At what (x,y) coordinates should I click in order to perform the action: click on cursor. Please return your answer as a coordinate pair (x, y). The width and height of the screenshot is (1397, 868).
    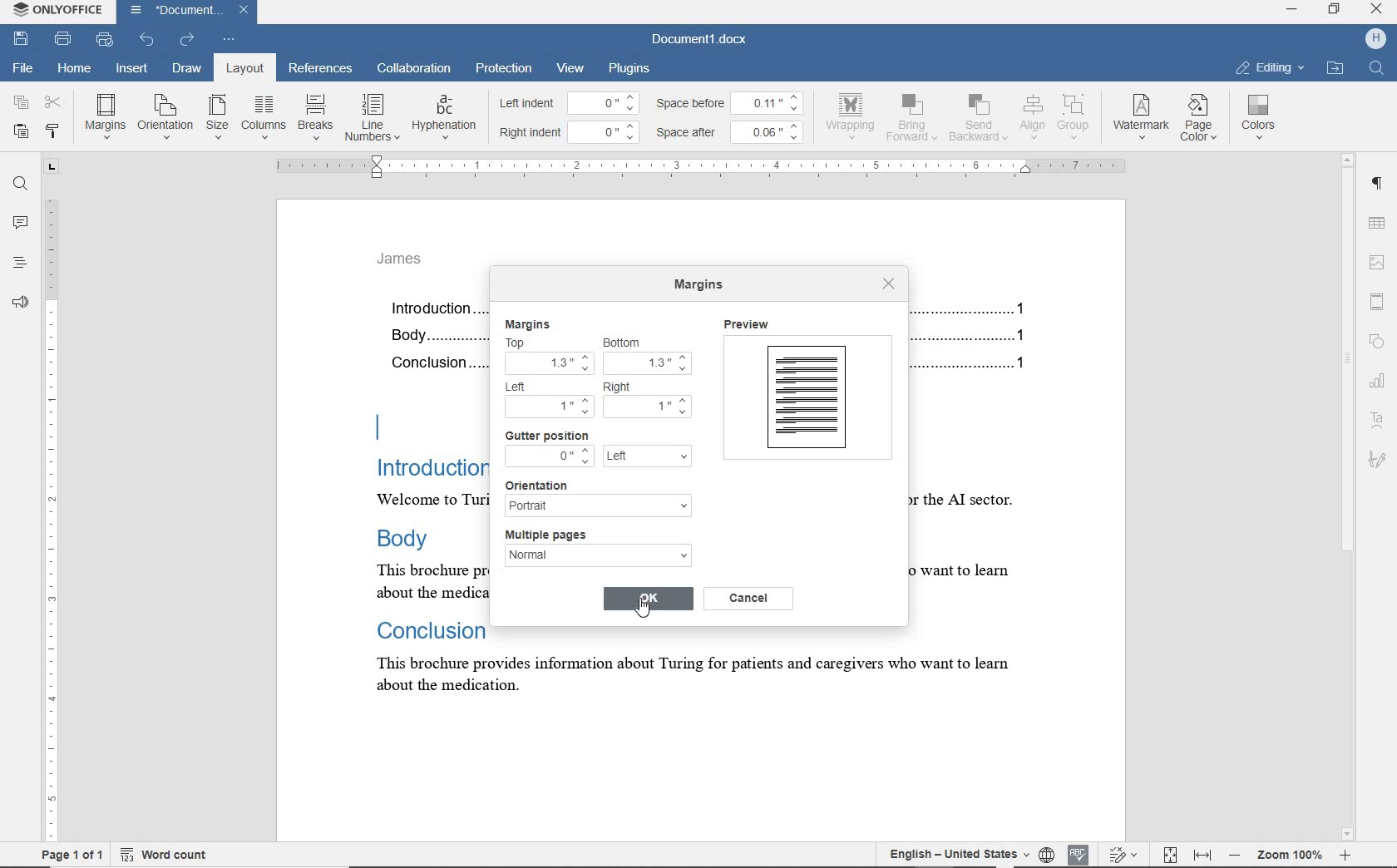
    Looking at the image, I should click on (649, 614).